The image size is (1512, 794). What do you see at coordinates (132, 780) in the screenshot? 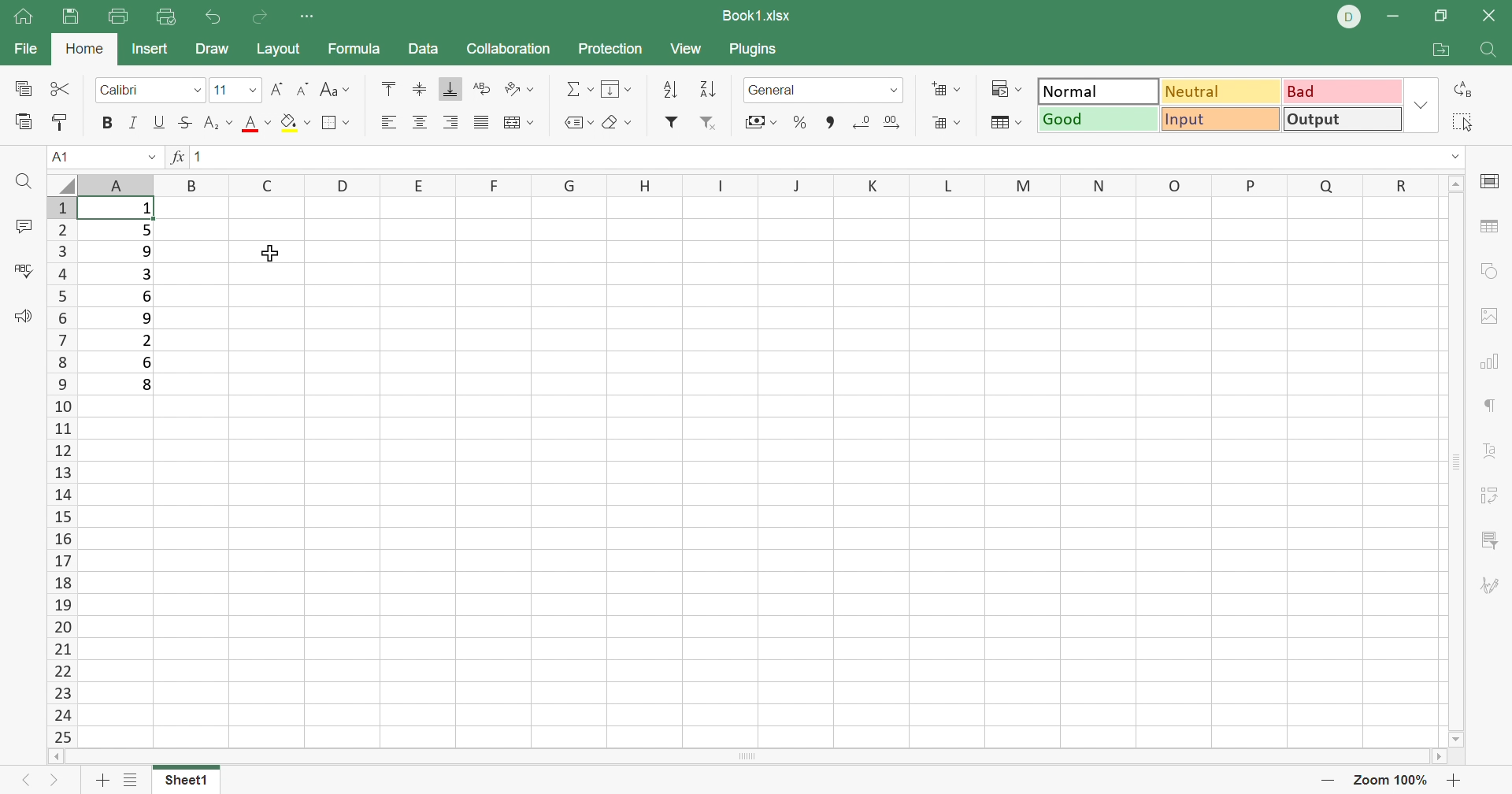
I see `List of sheets` at bounding box center [132, 780].